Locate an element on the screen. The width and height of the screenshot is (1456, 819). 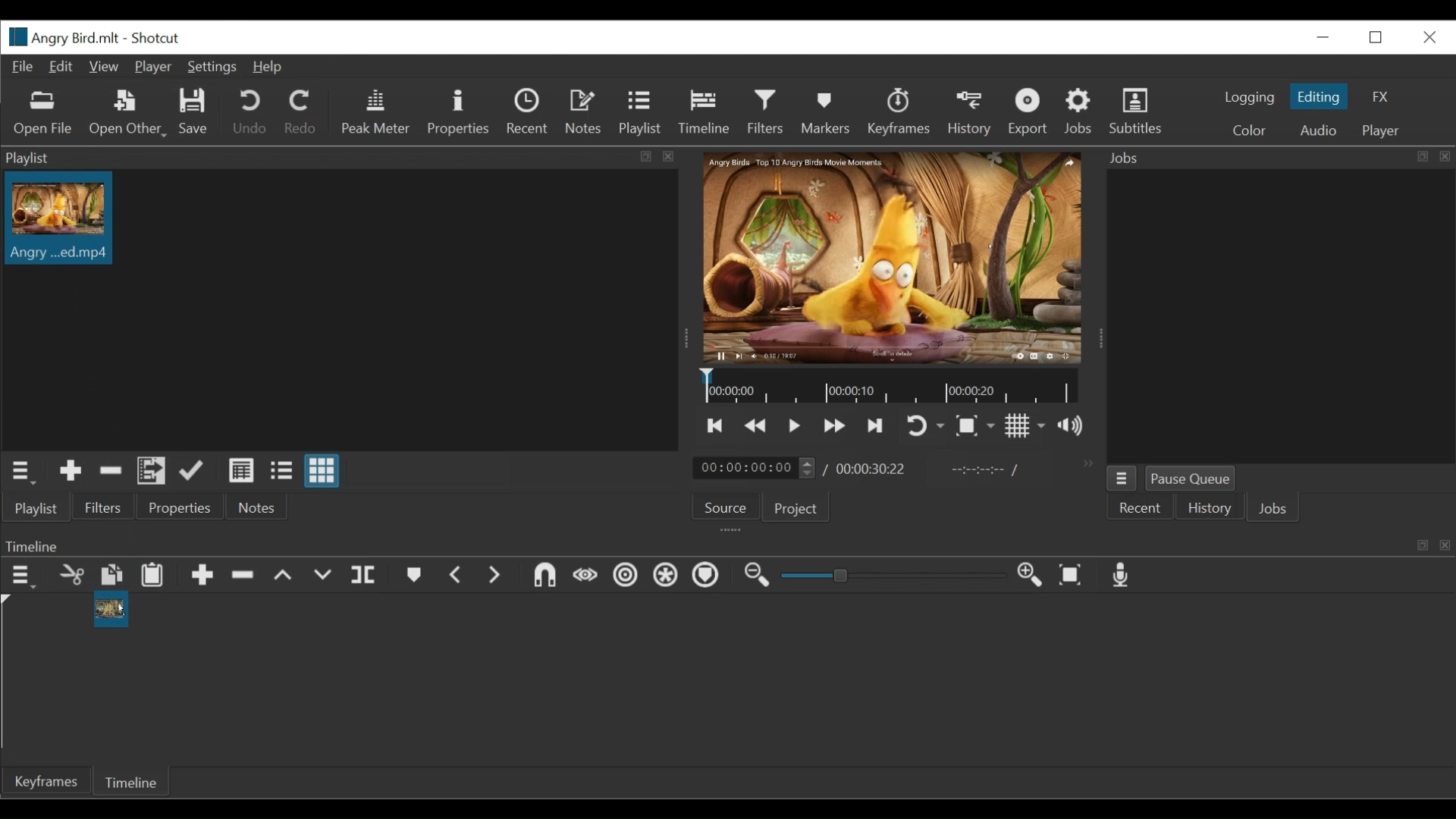
lift is located at coordinates (285, 577).